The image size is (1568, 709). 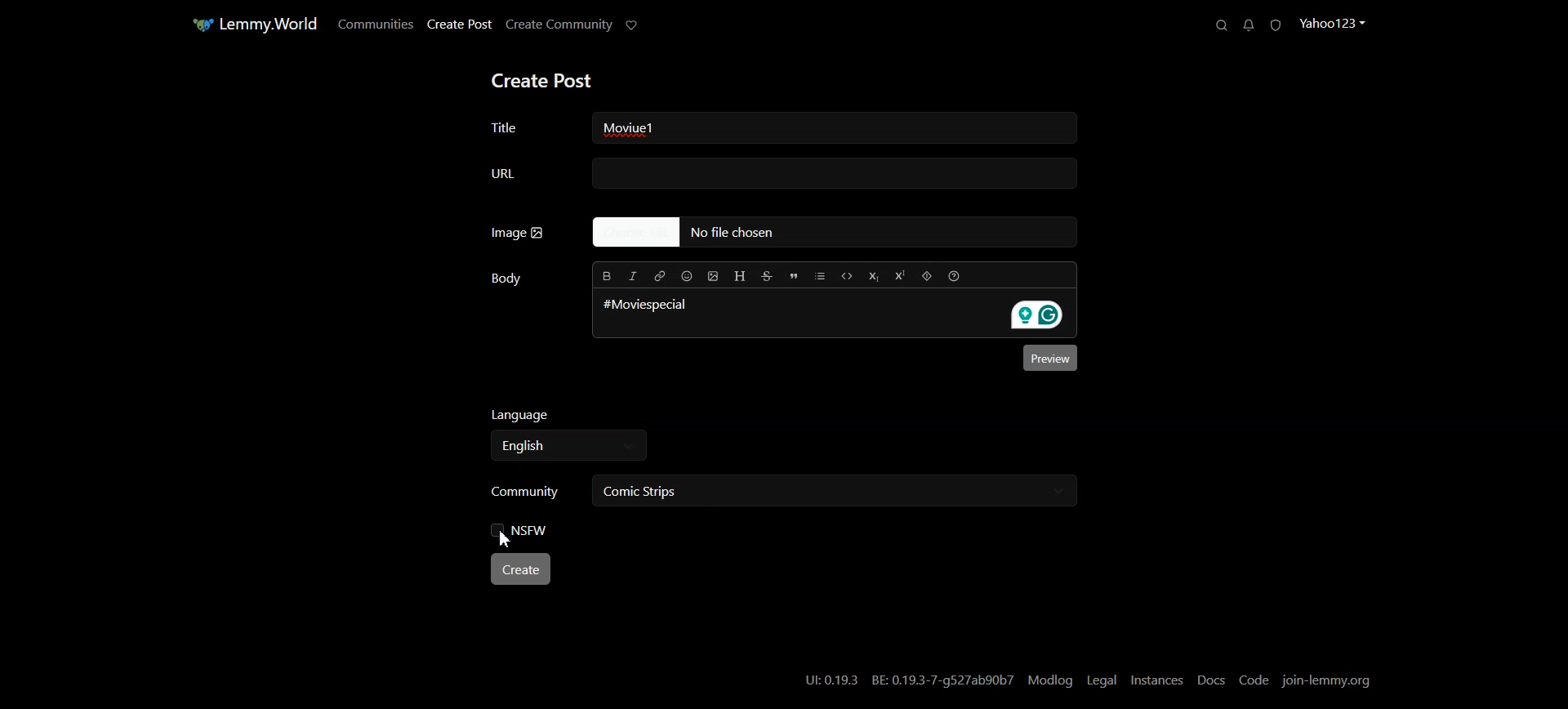 I want to click on Instances, so click(x=1157, y=680).